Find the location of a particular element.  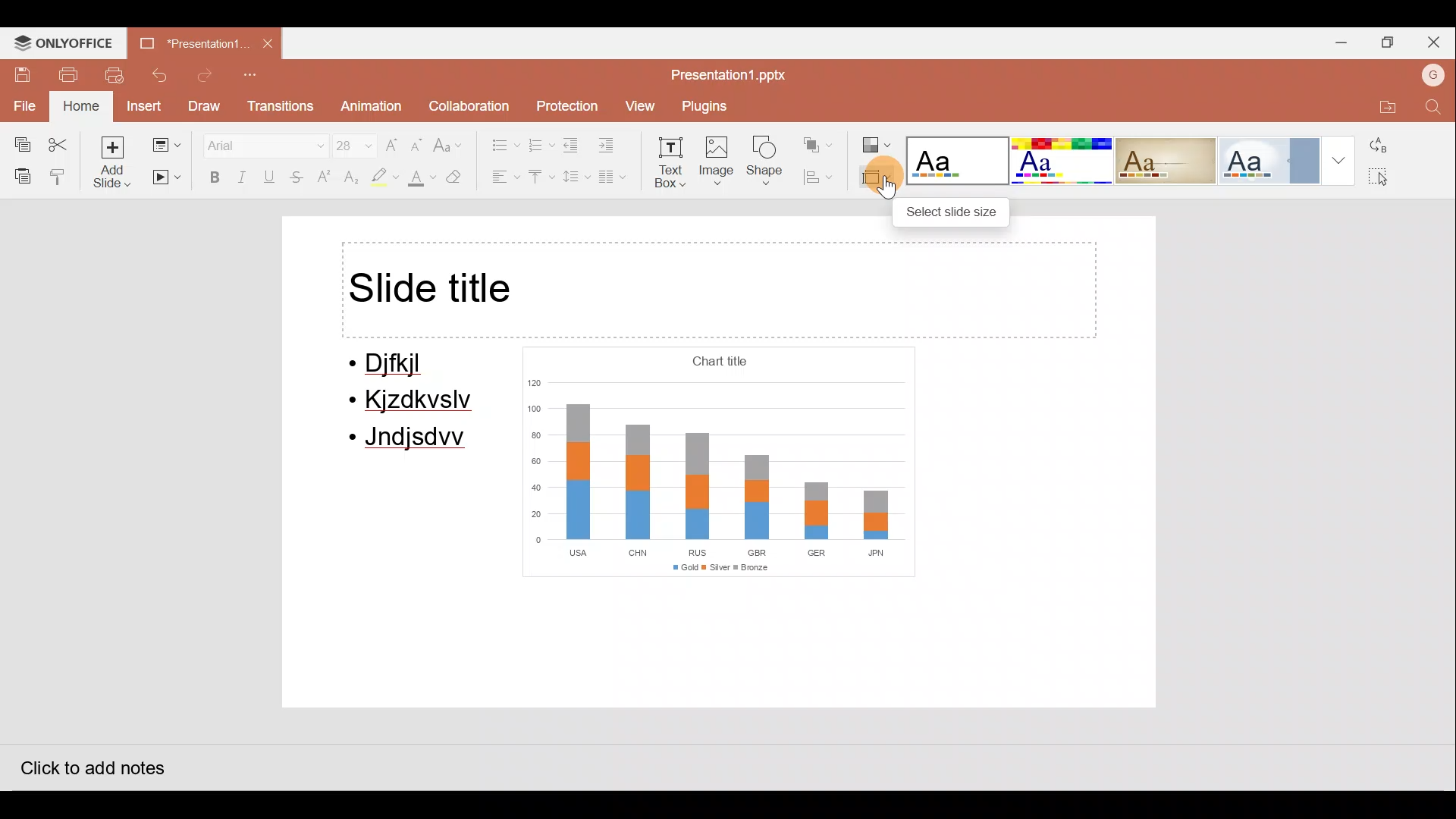

Change colour theme is located at coordinates (877, 140).